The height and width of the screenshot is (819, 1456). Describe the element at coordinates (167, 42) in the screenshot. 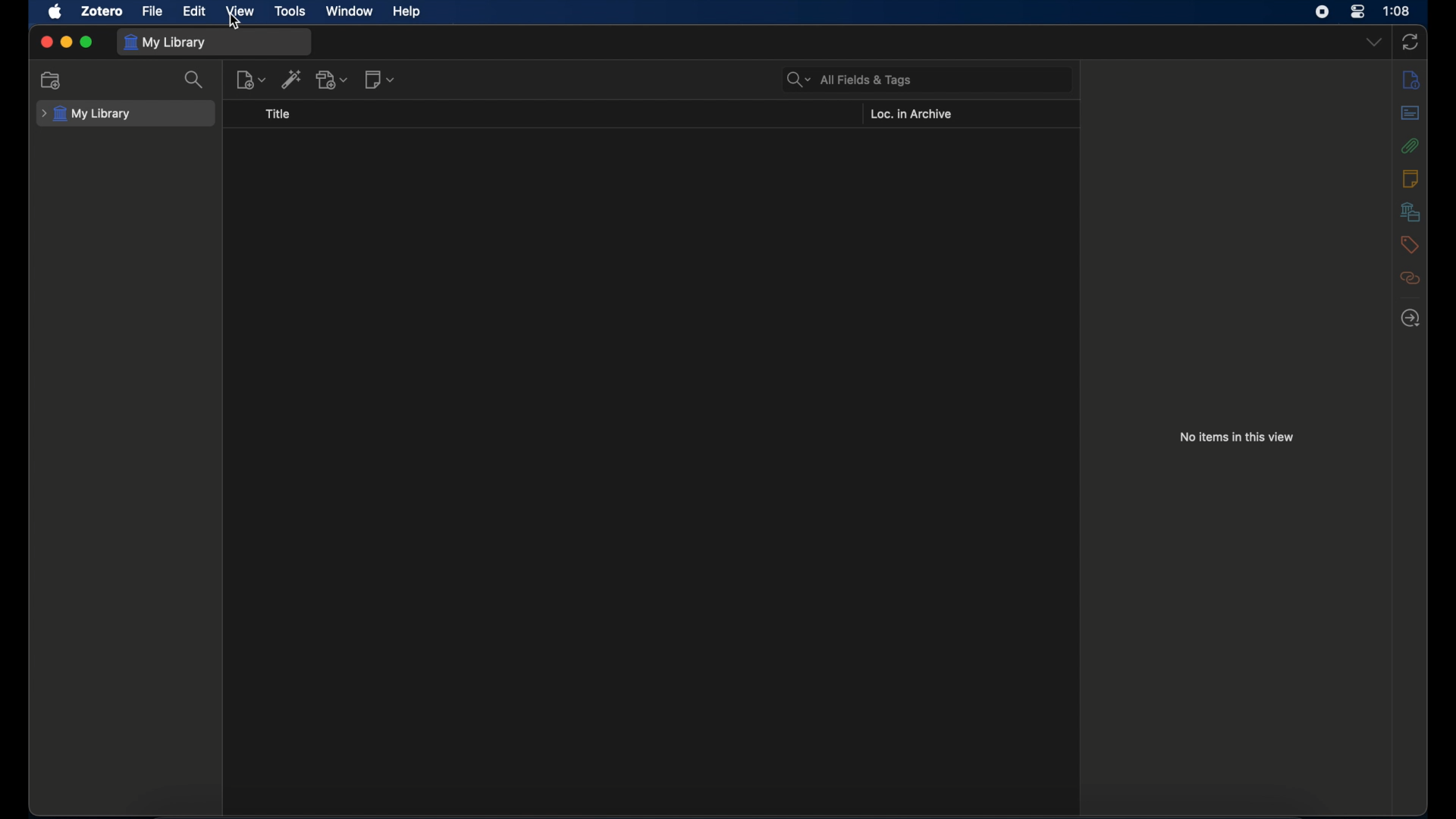

I see `my library` at that location.